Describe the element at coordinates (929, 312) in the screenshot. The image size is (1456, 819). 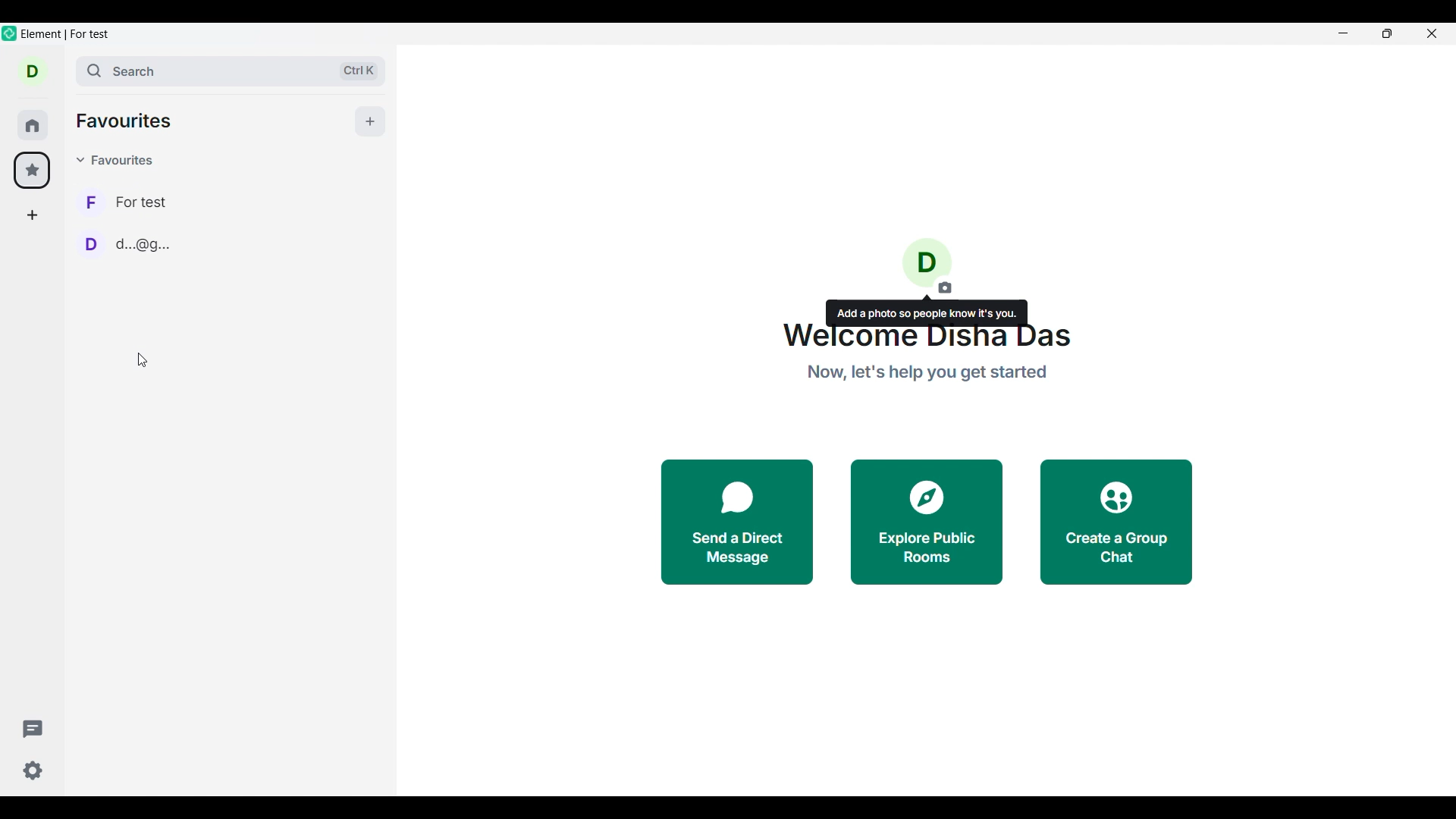
I see `add a photo so people know it's you` at that location.